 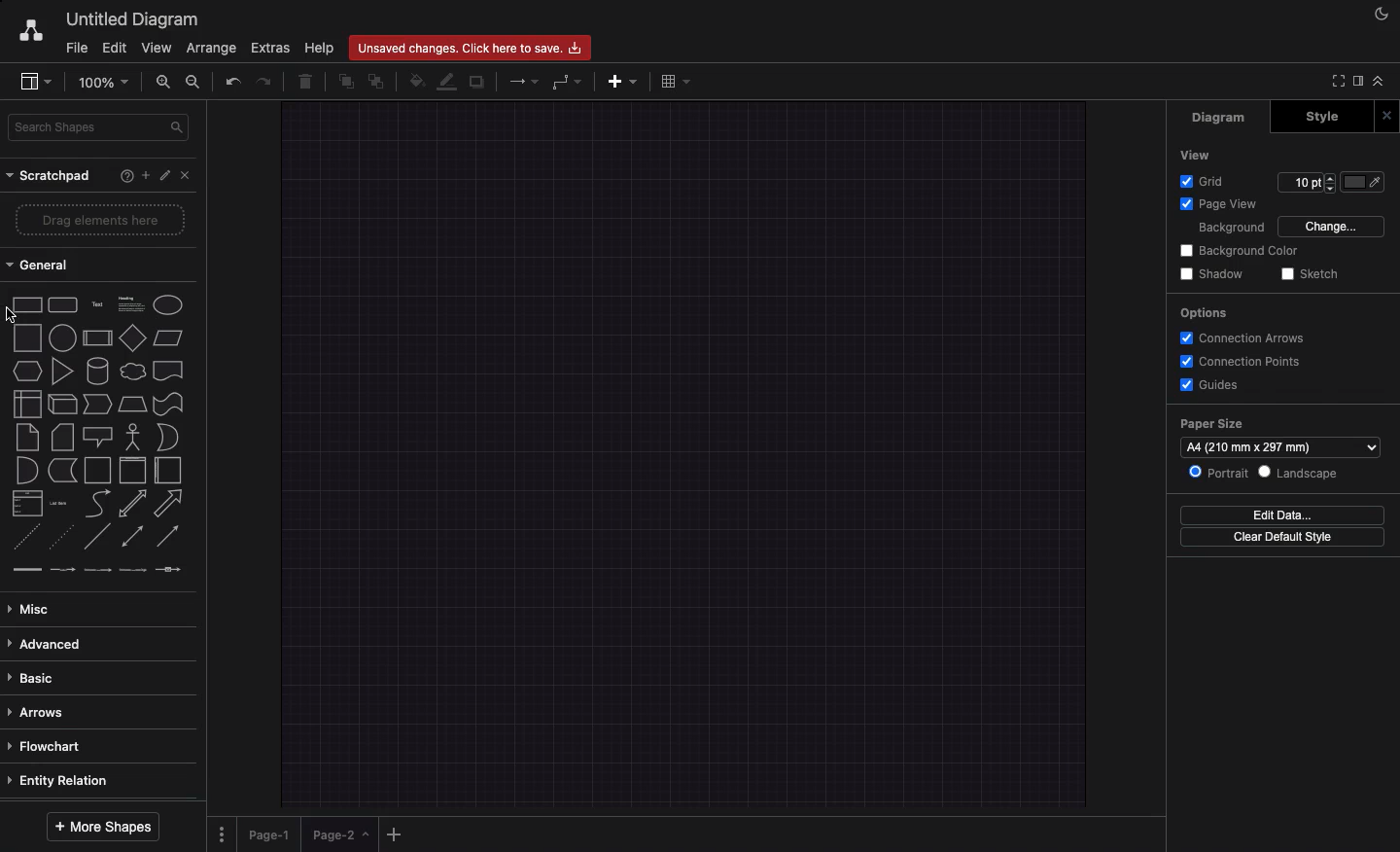 I want to click on Paper size, so click(x=1282, y=433).